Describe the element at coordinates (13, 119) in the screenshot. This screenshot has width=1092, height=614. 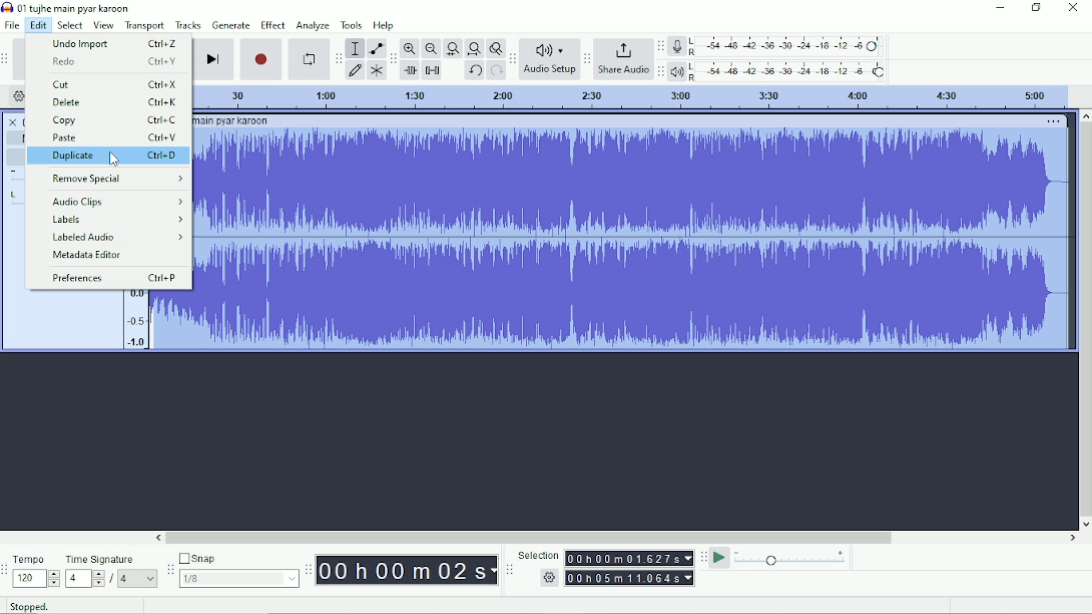
I see `close` at that location.